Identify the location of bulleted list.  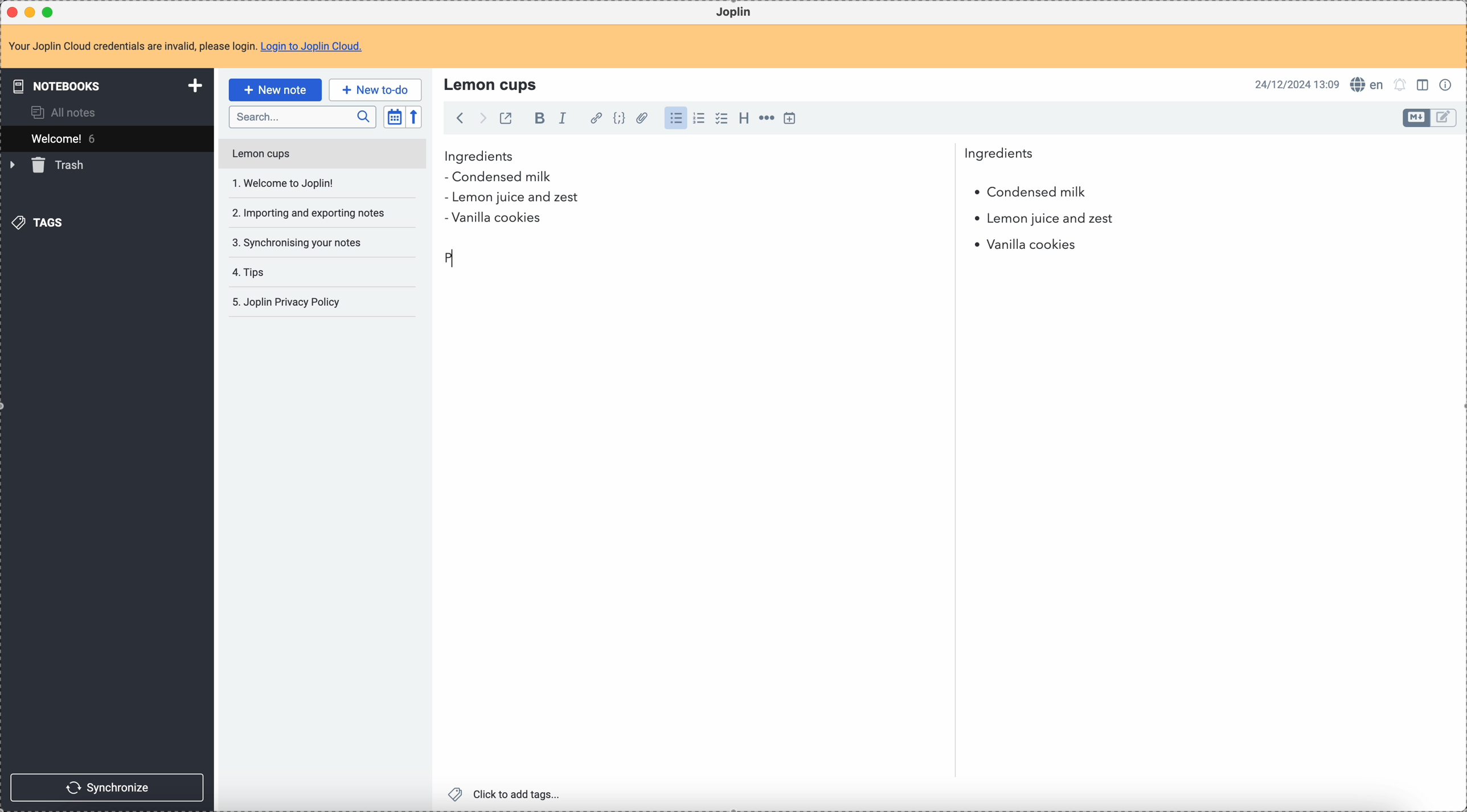
(674, 118).